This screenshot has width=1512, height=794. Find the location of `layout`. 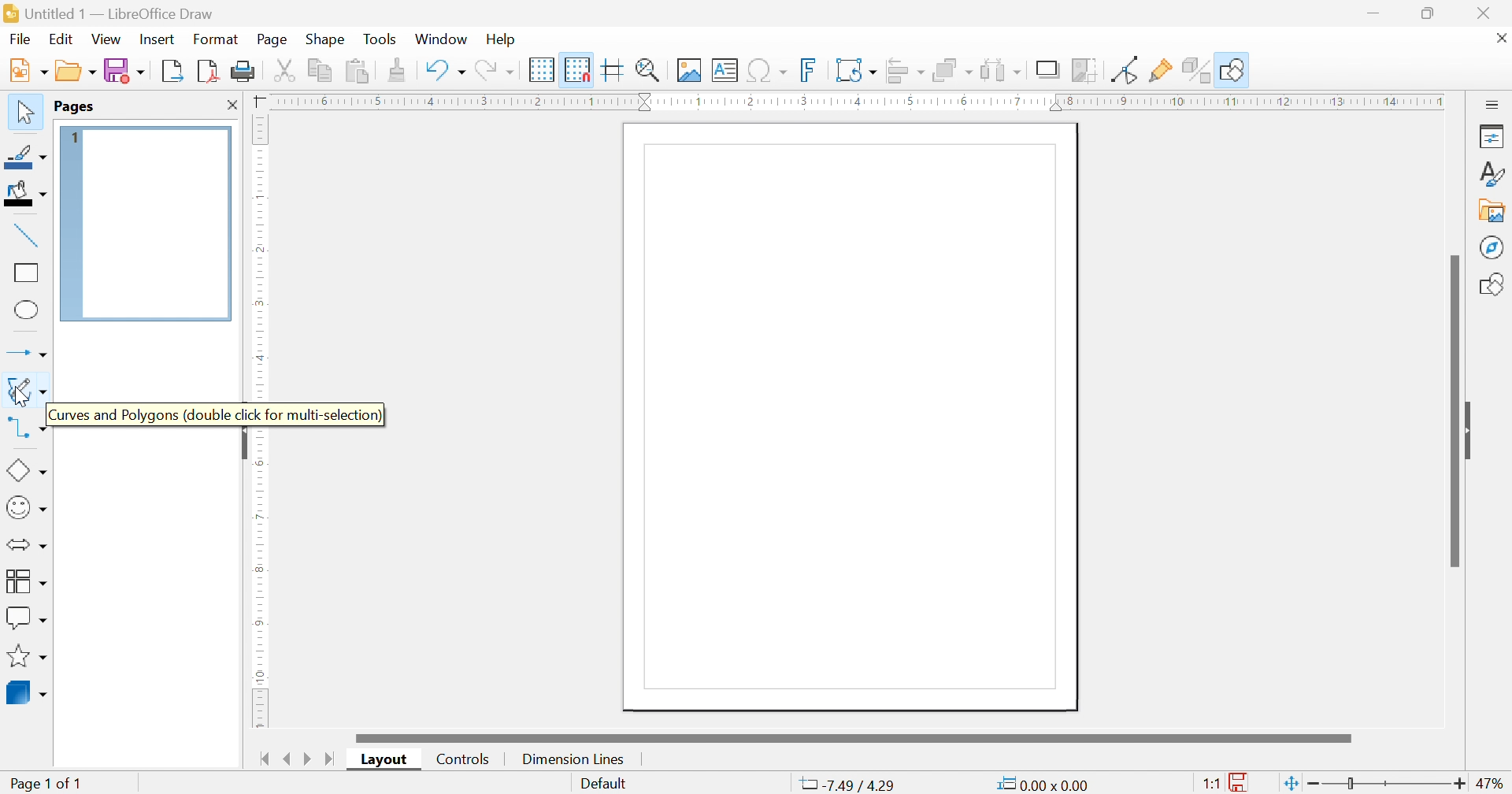

layout is located at coordinates (387, 759).